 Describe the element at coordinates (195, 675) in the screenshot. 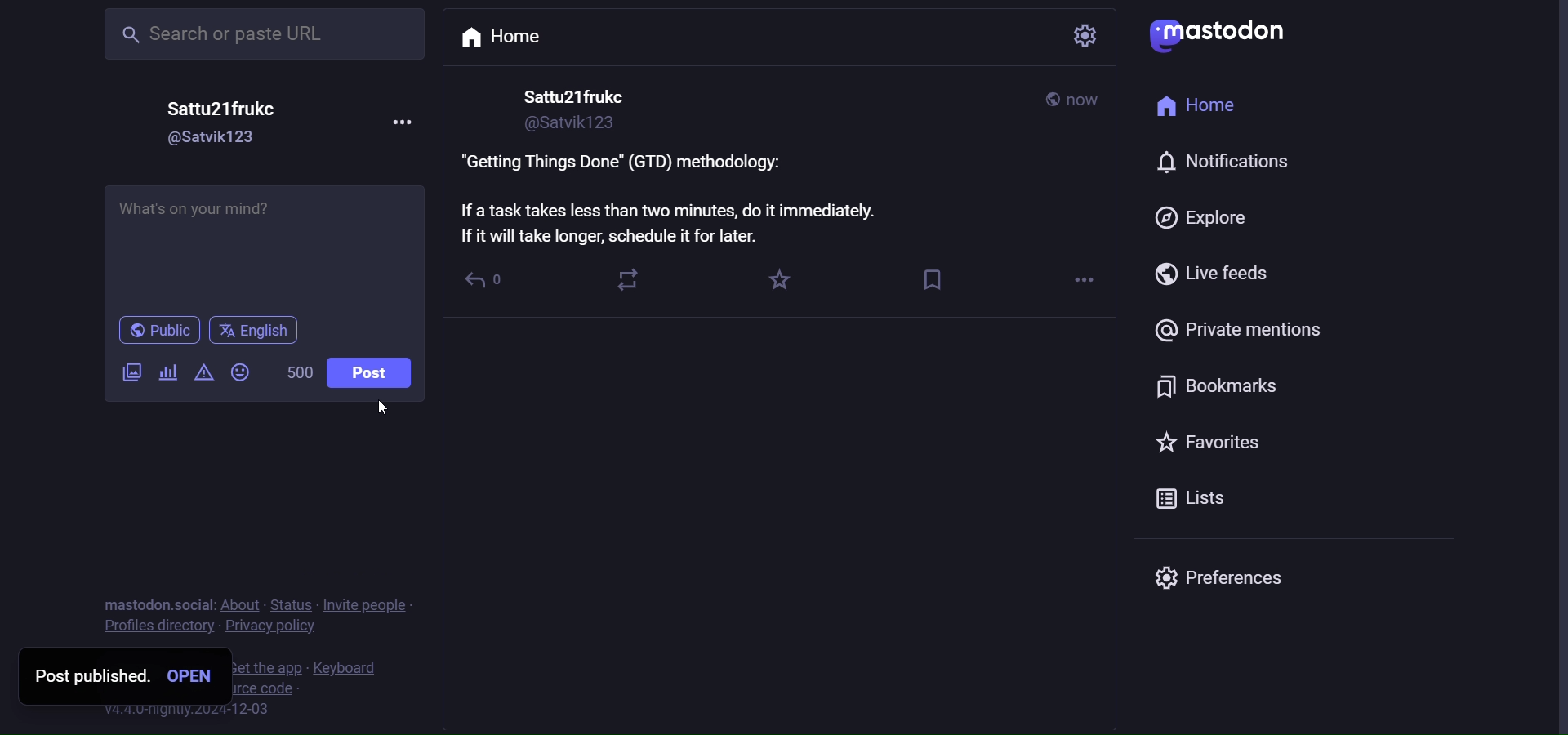

I see `open` at that location.